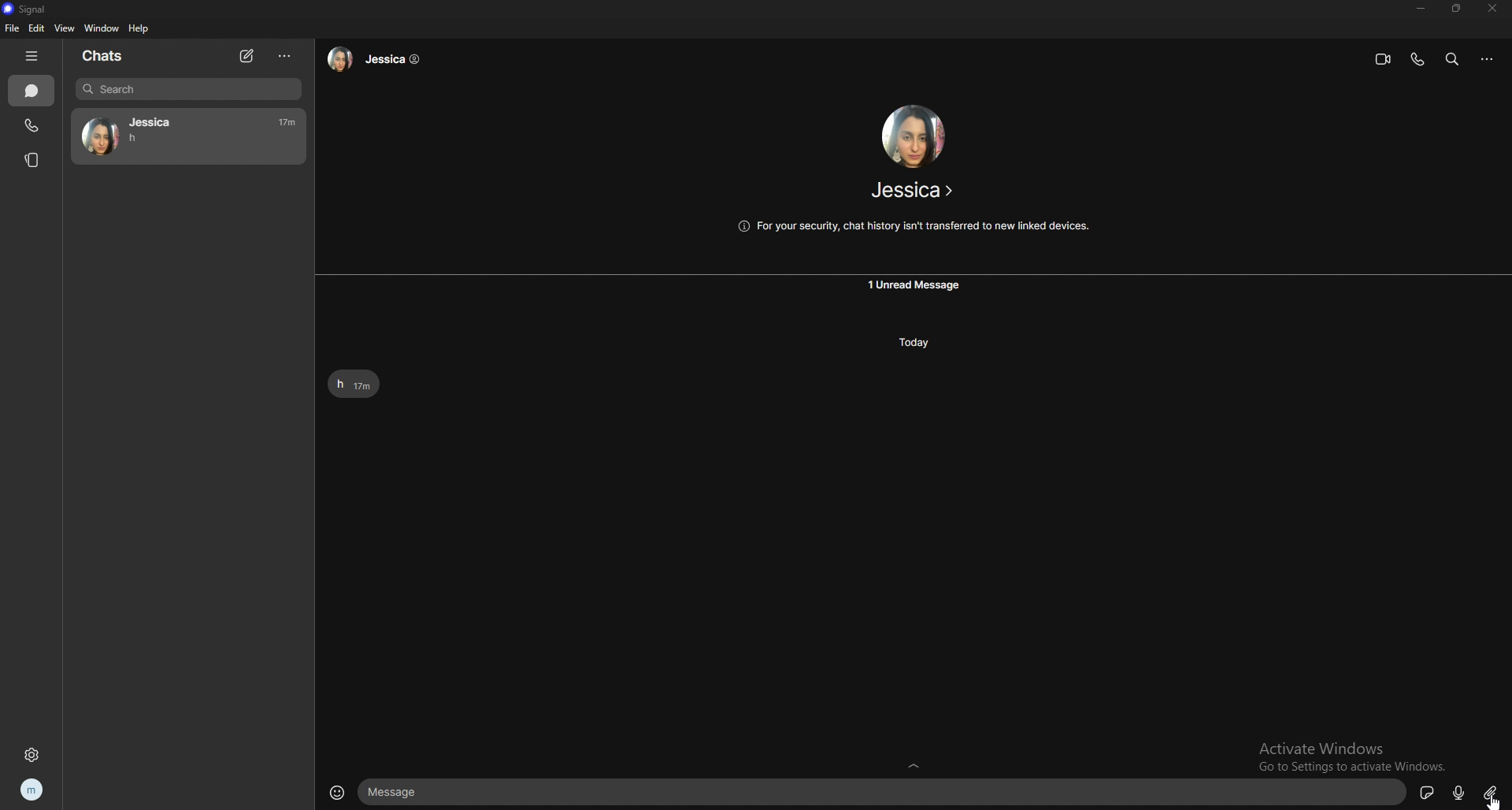 This screenshot has height=810, width=1512. Describe the element at coordinates (1490, 793) in the screenshot. I see `attachment` at that location.